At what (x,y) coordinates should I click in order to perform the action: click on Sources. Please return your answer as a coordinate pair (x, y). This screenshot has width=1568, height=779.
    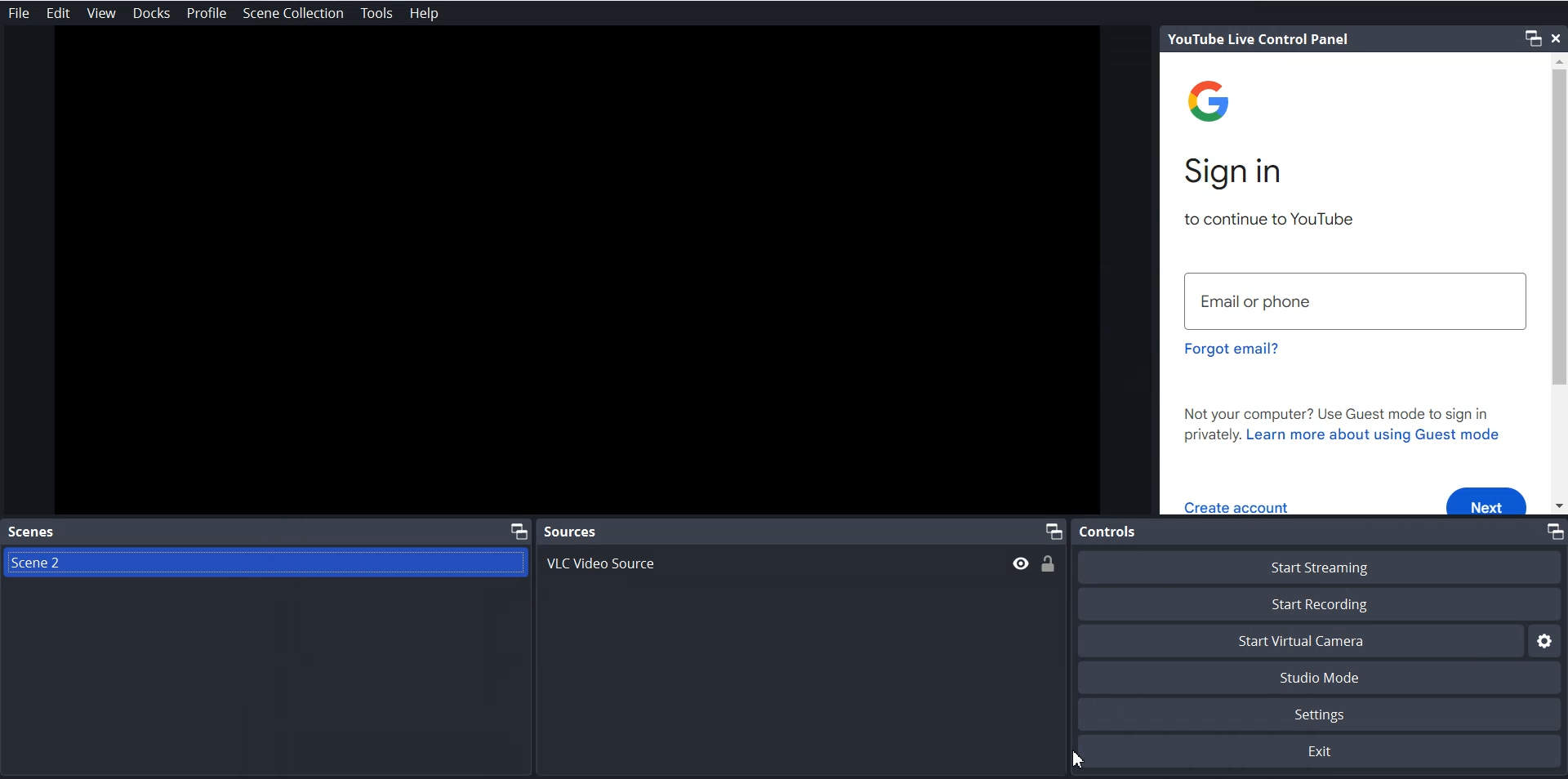
    Looking at the image, I should click on (570, 531).